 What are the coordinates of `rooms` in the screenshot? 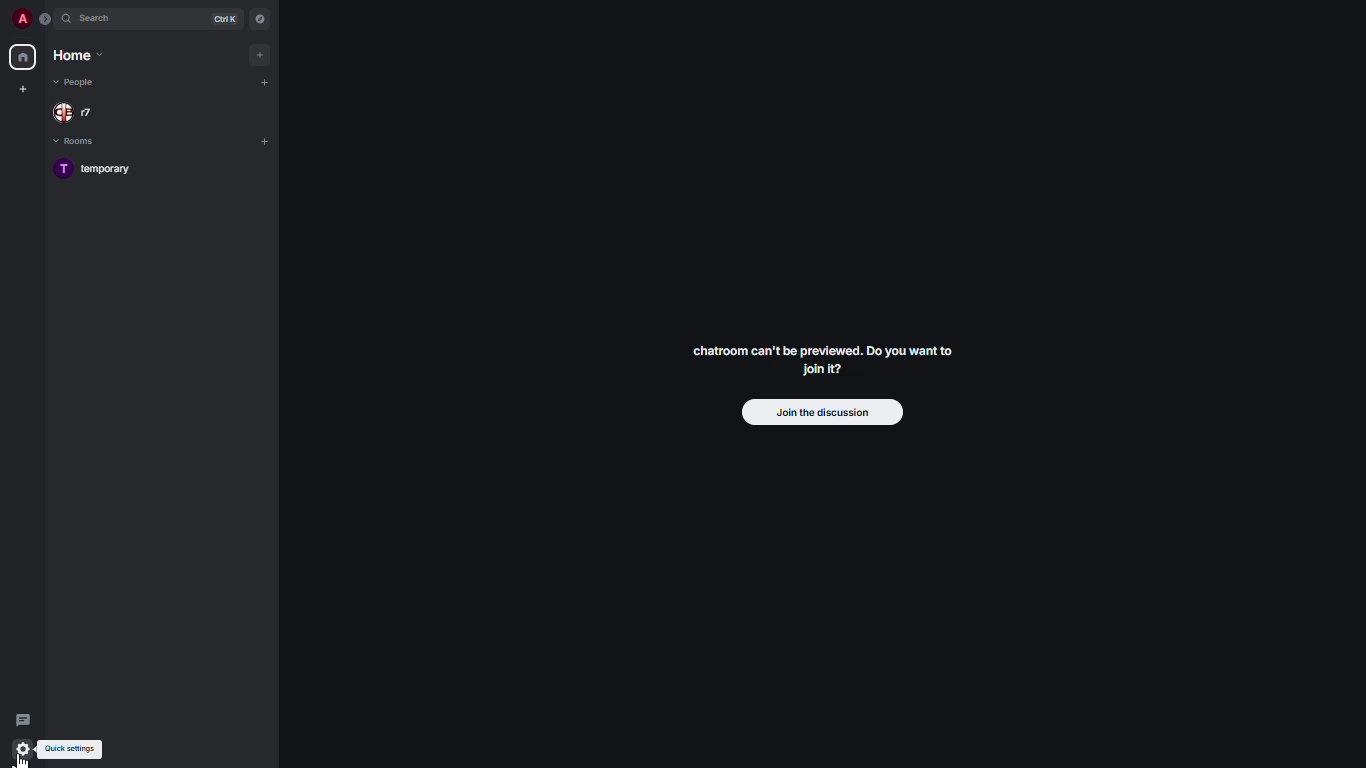 It's located at (81, 143).